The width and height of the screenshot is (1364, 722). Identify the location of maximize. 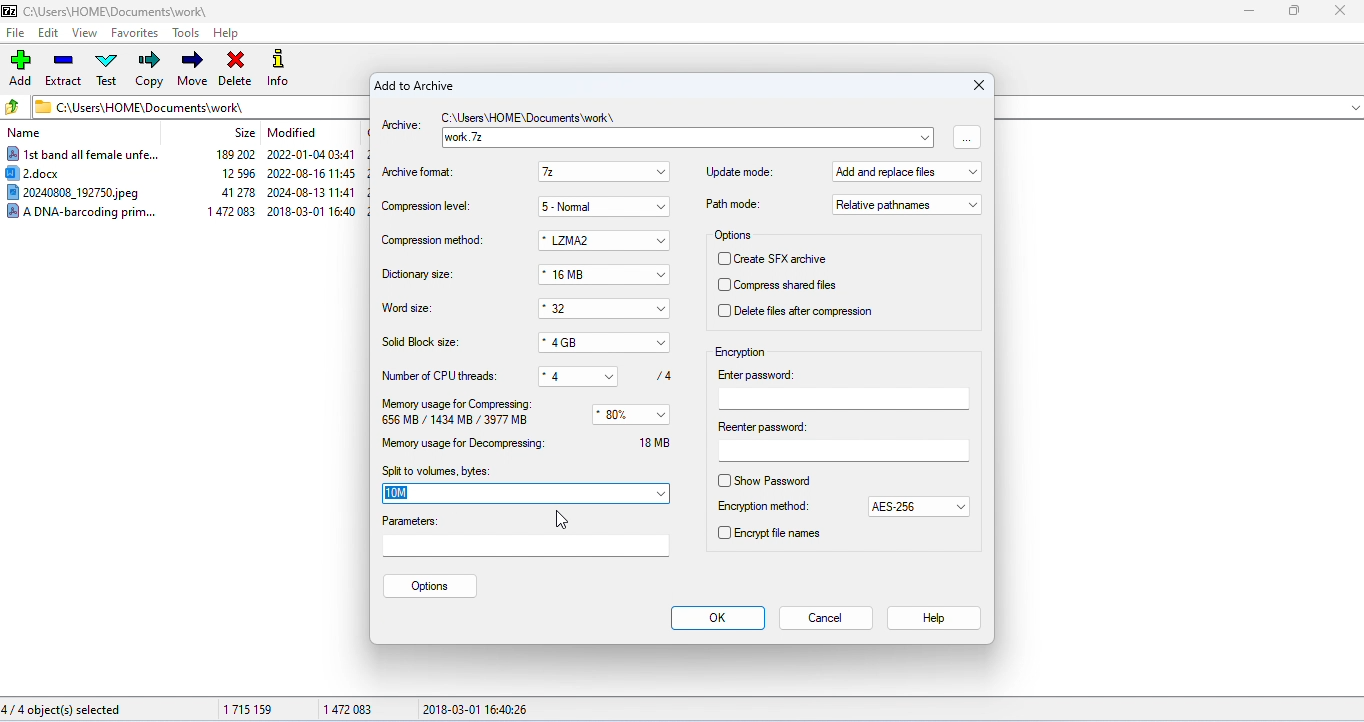
(1292, 12).